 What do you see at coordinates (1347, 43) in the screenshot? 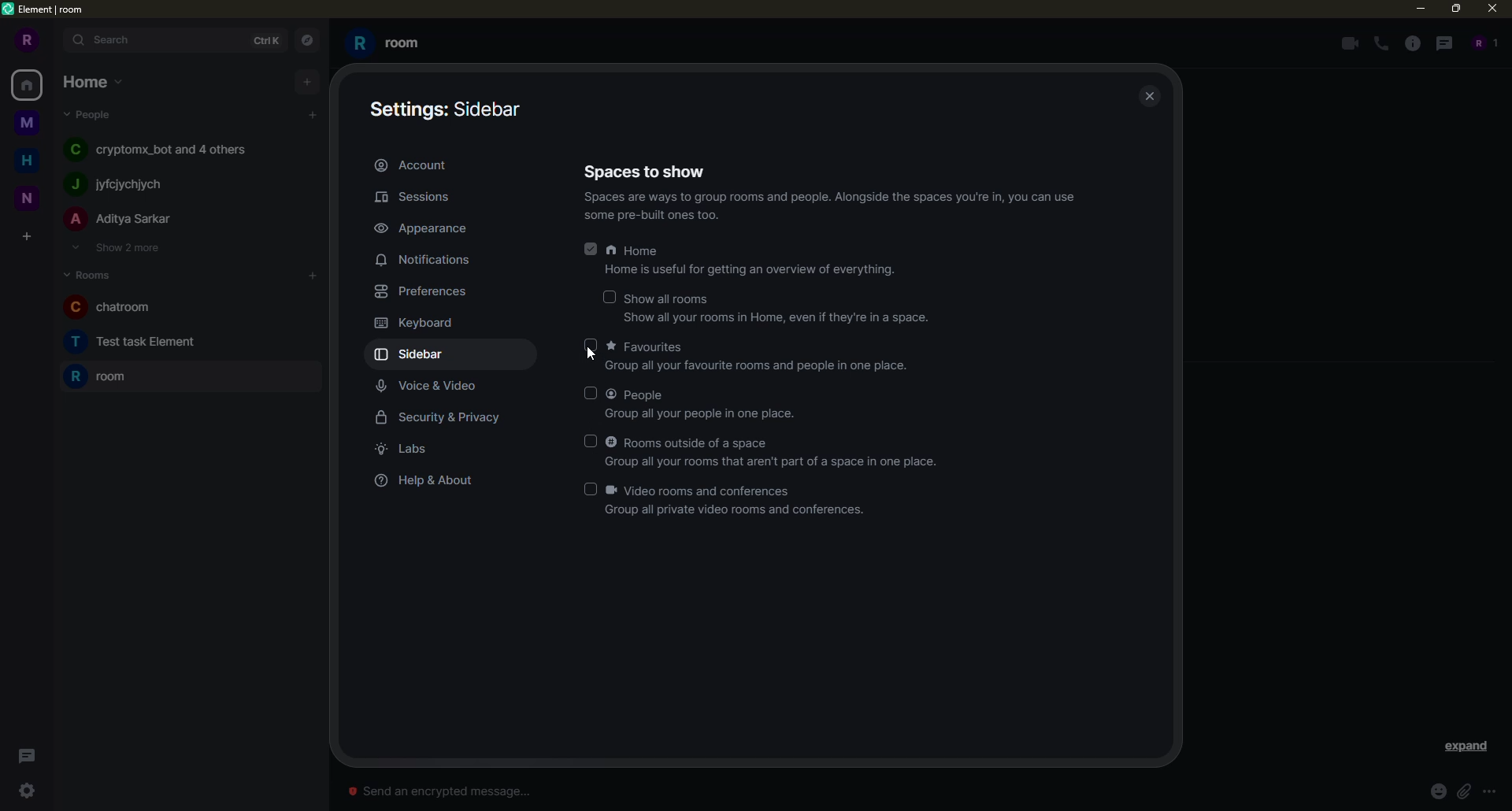
I see `video call` at bounding box center [1347, 43].